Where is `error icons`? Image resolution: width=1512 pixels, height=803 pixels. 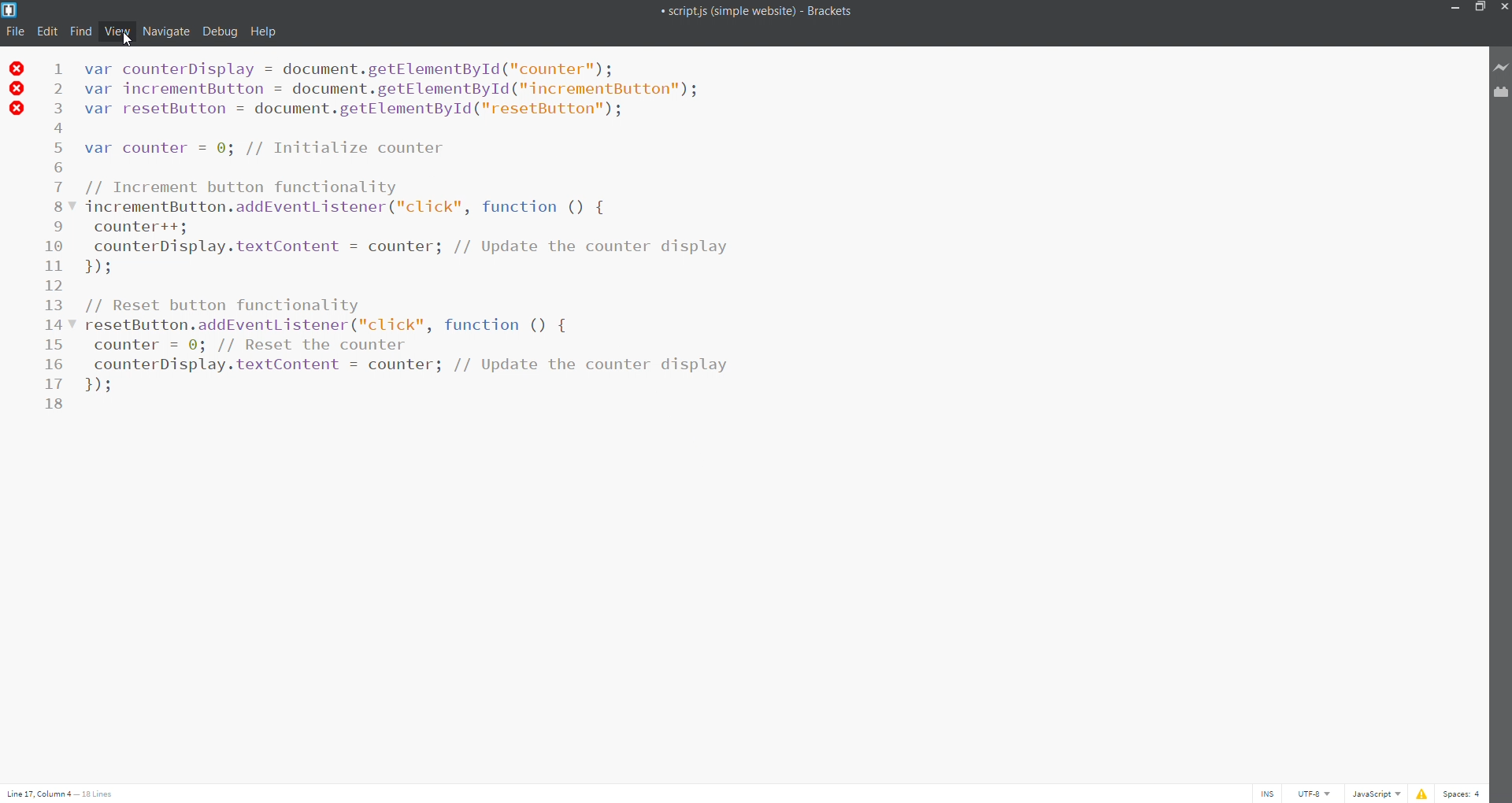 error icons is located at coordinates (15, 90).